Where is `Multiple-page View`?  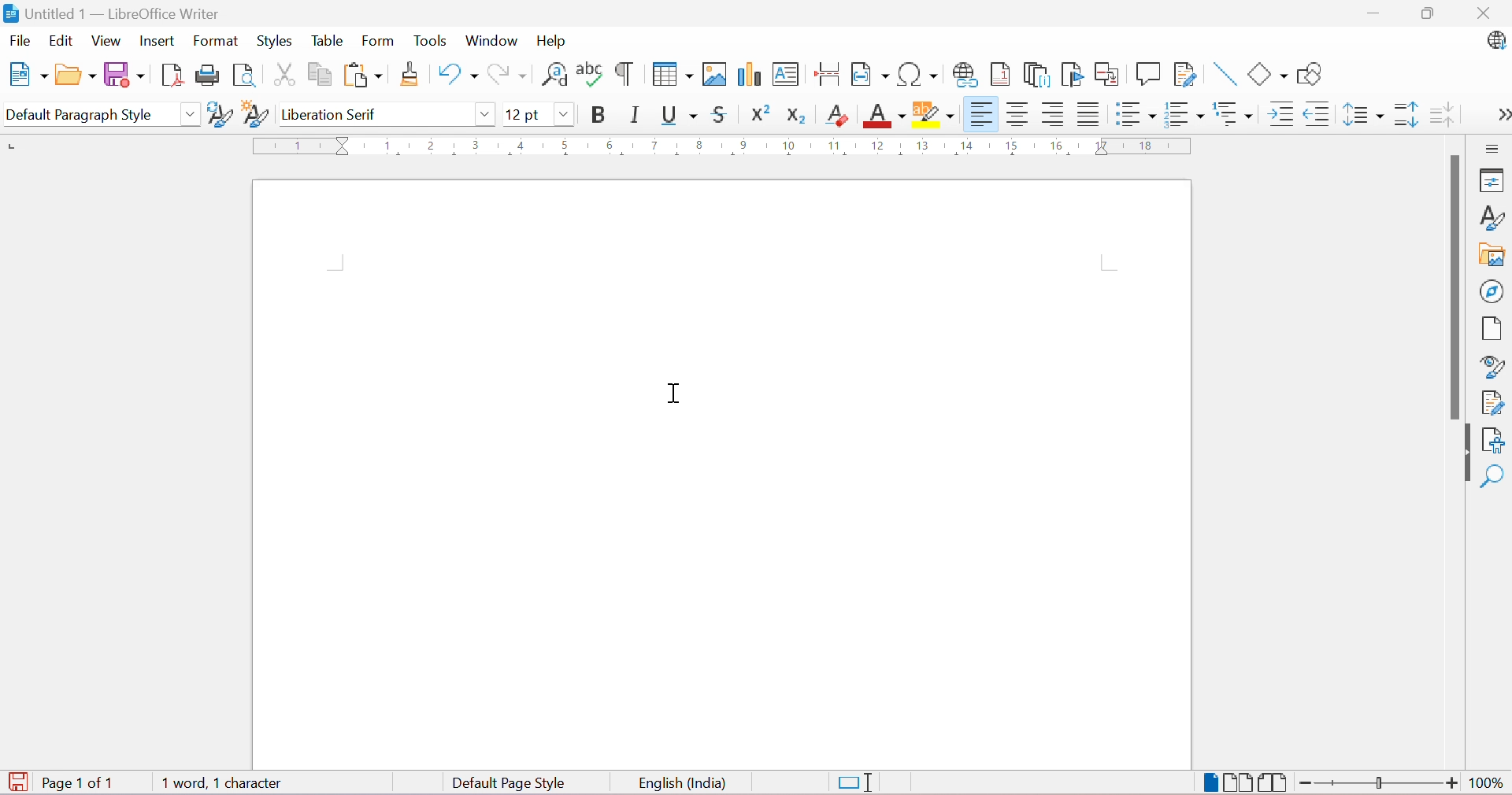
Multiple-page View is located at coordinates (1240, 782).